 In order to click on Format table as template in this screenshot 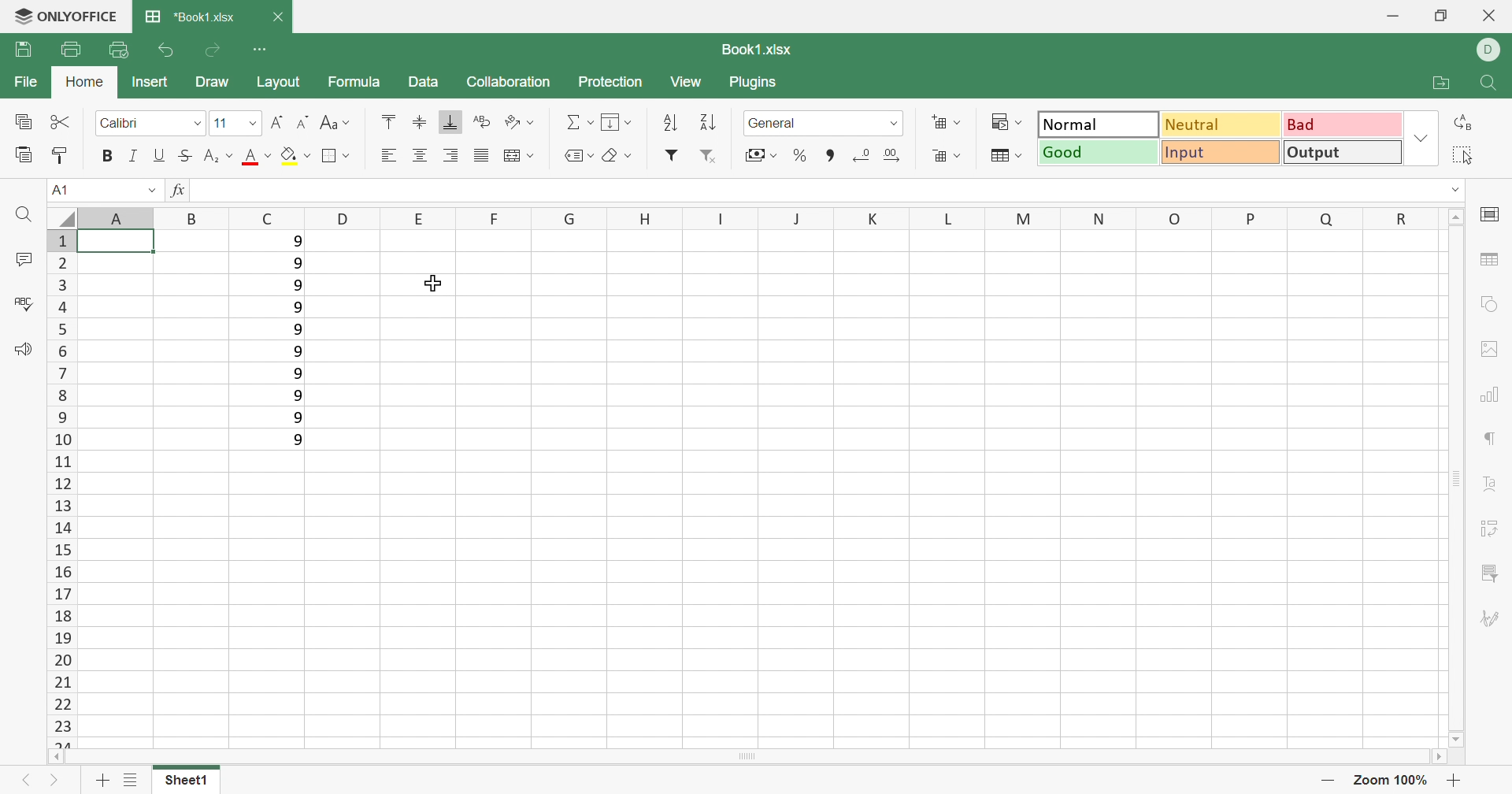, I will do `click(1006, 155)`.